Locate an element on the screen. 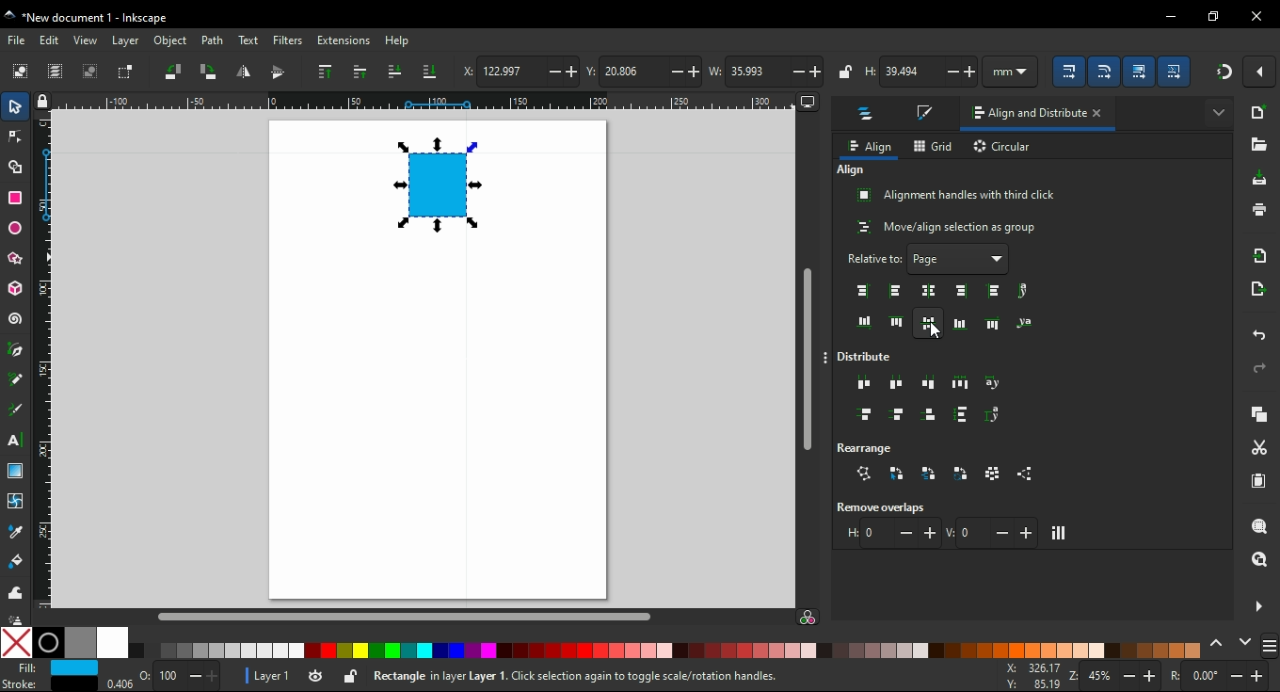 The image size is (1280, 692). object is located at coordinates (169, 40).